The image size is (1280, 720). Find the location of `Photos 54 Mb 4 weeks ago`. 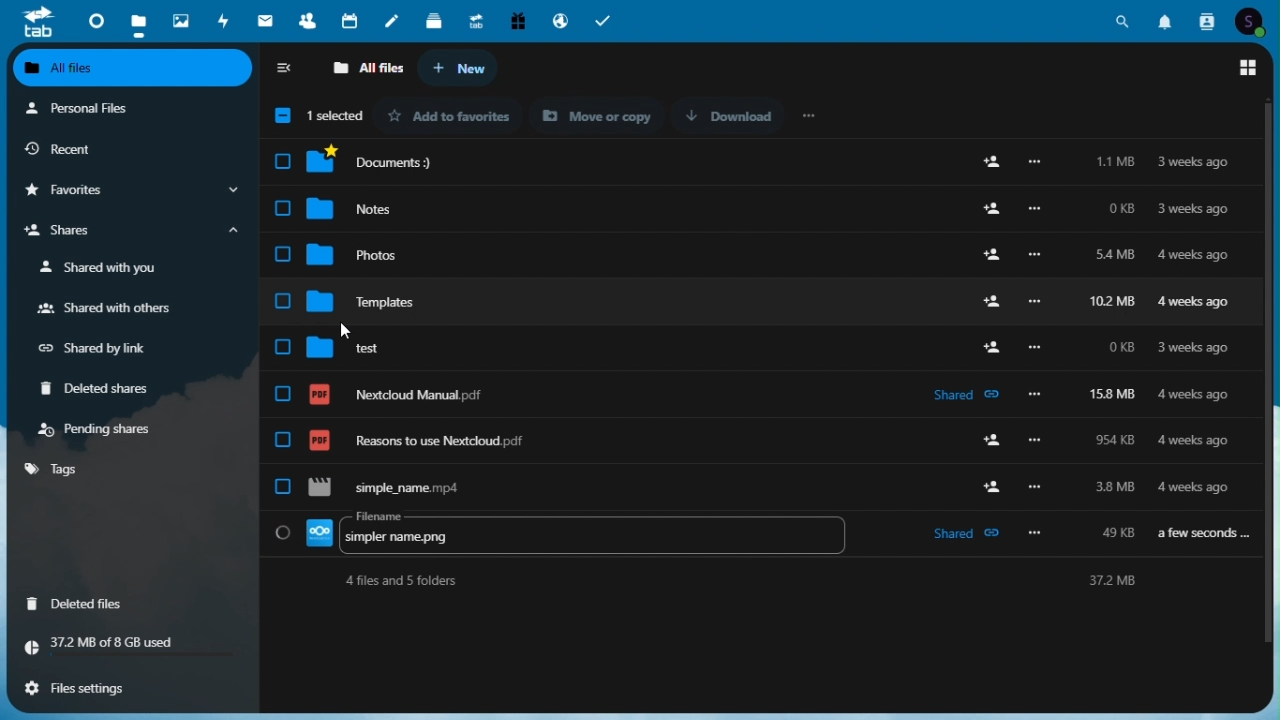

Photos 54 Mb 4 weeks ago is located at coordinates (759, 249).